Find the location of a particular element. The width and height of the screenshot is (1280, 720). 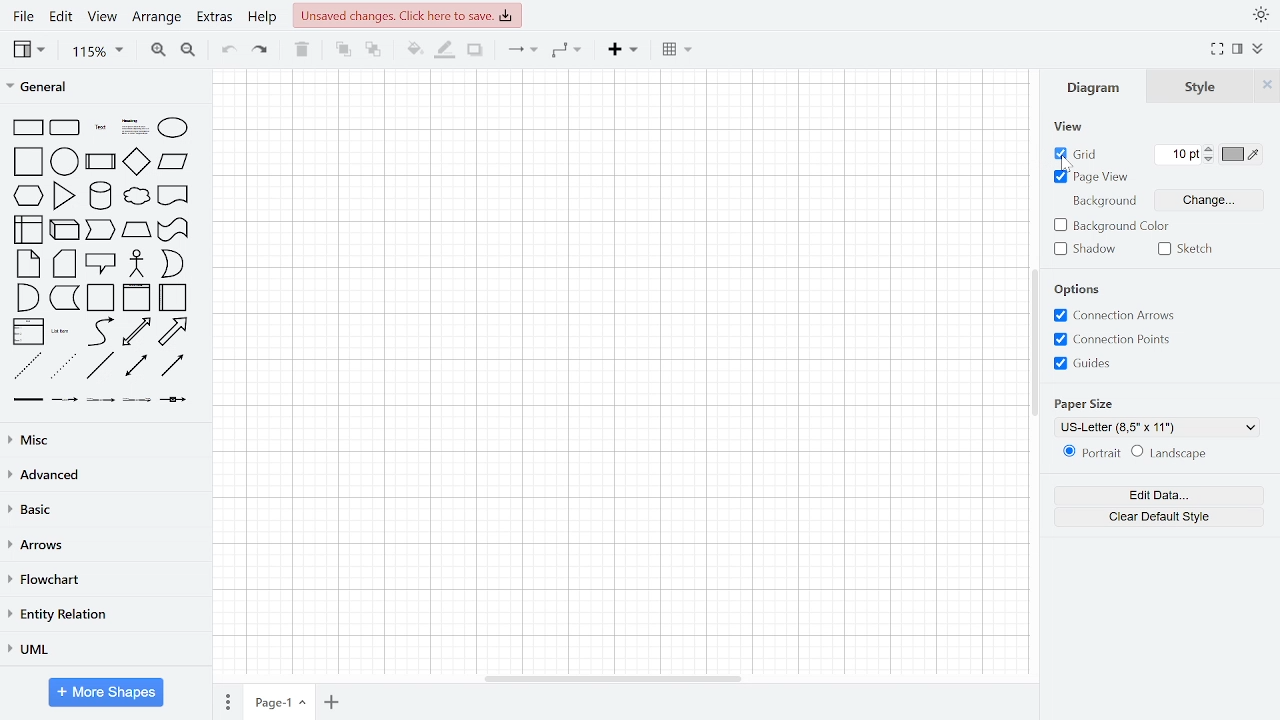

file is located at coordinates (23, 16).